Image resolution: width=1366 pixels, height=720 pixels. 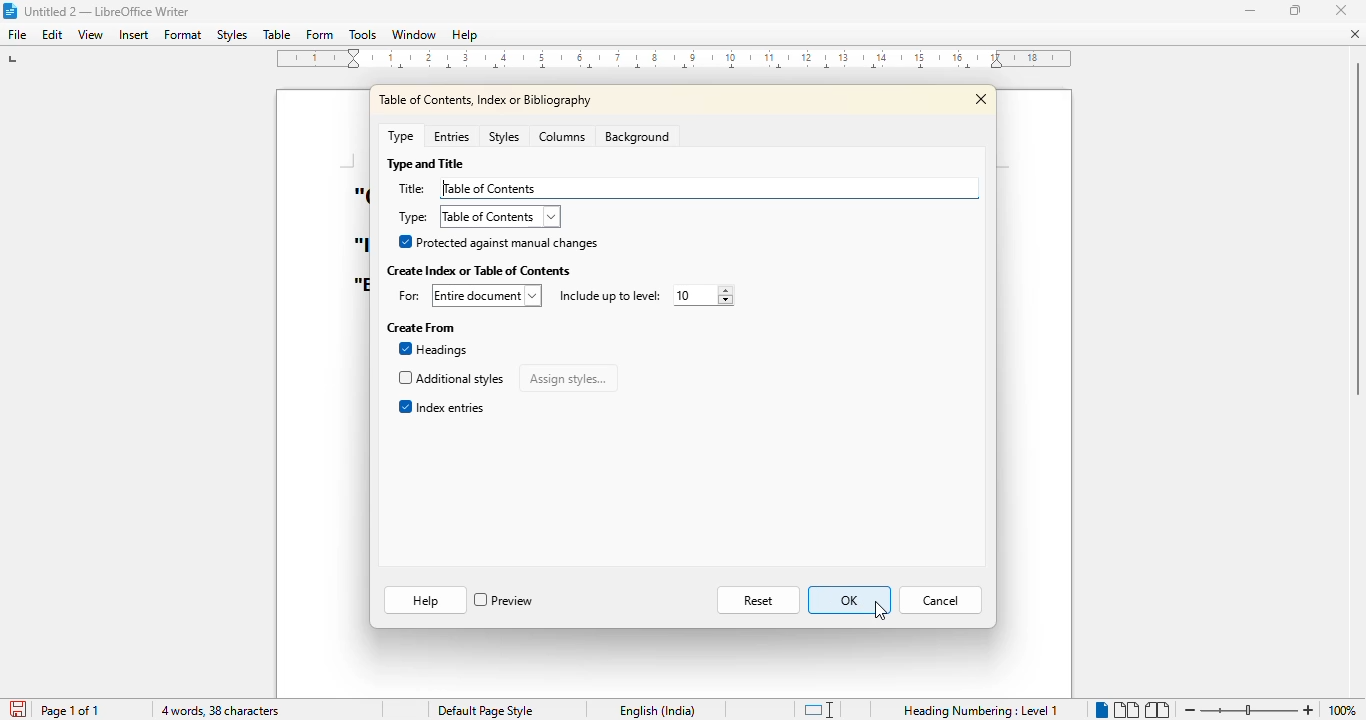 I want to click on form, so click(x=319, y=34).